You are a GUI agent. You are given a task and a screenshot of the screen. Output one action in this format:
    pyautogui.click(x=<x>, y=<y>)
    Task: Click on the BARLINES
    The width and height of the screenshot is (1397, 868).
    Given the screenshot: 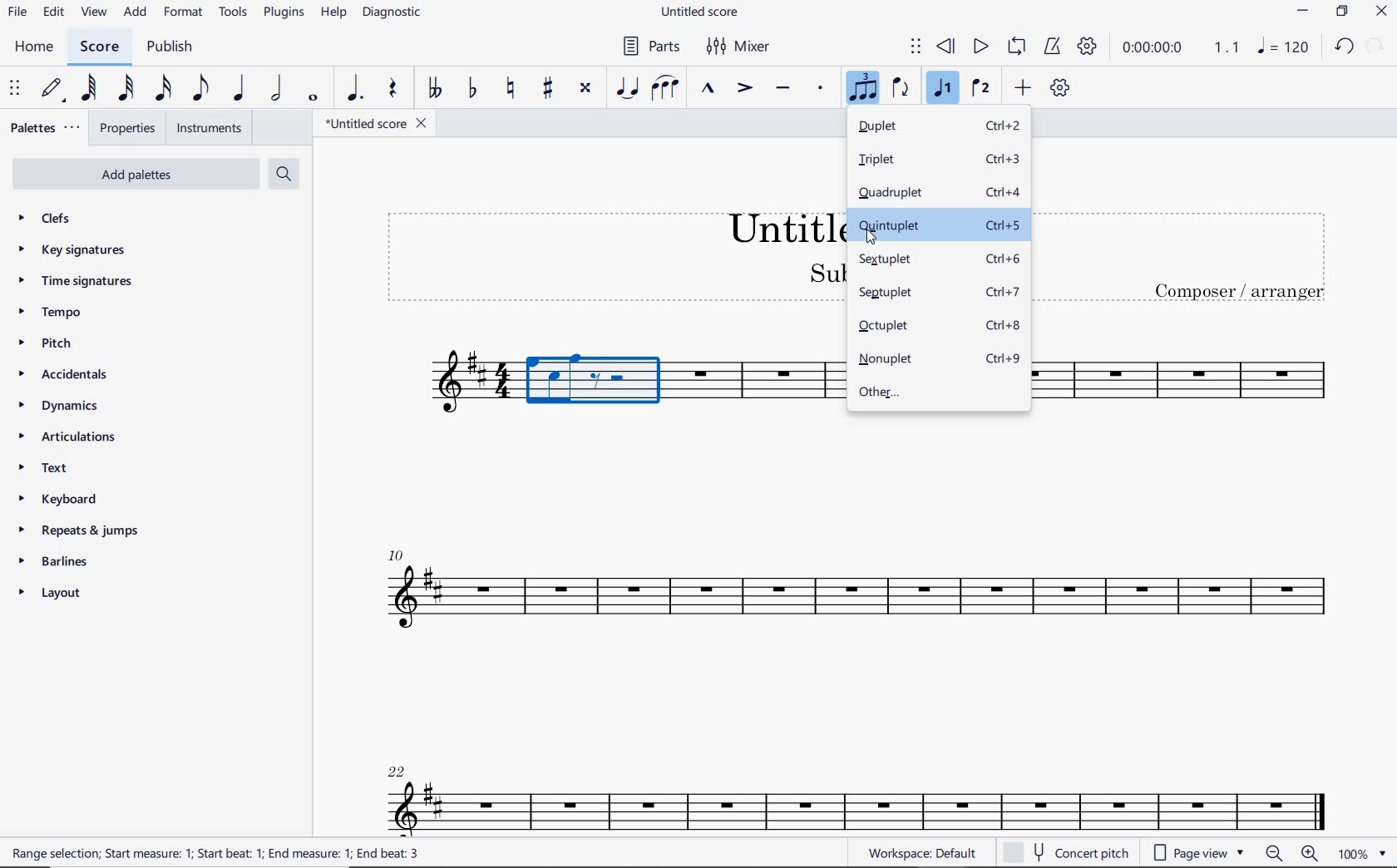 What is the action you would take?
    pyautogui.click(x=51, y=562)
    